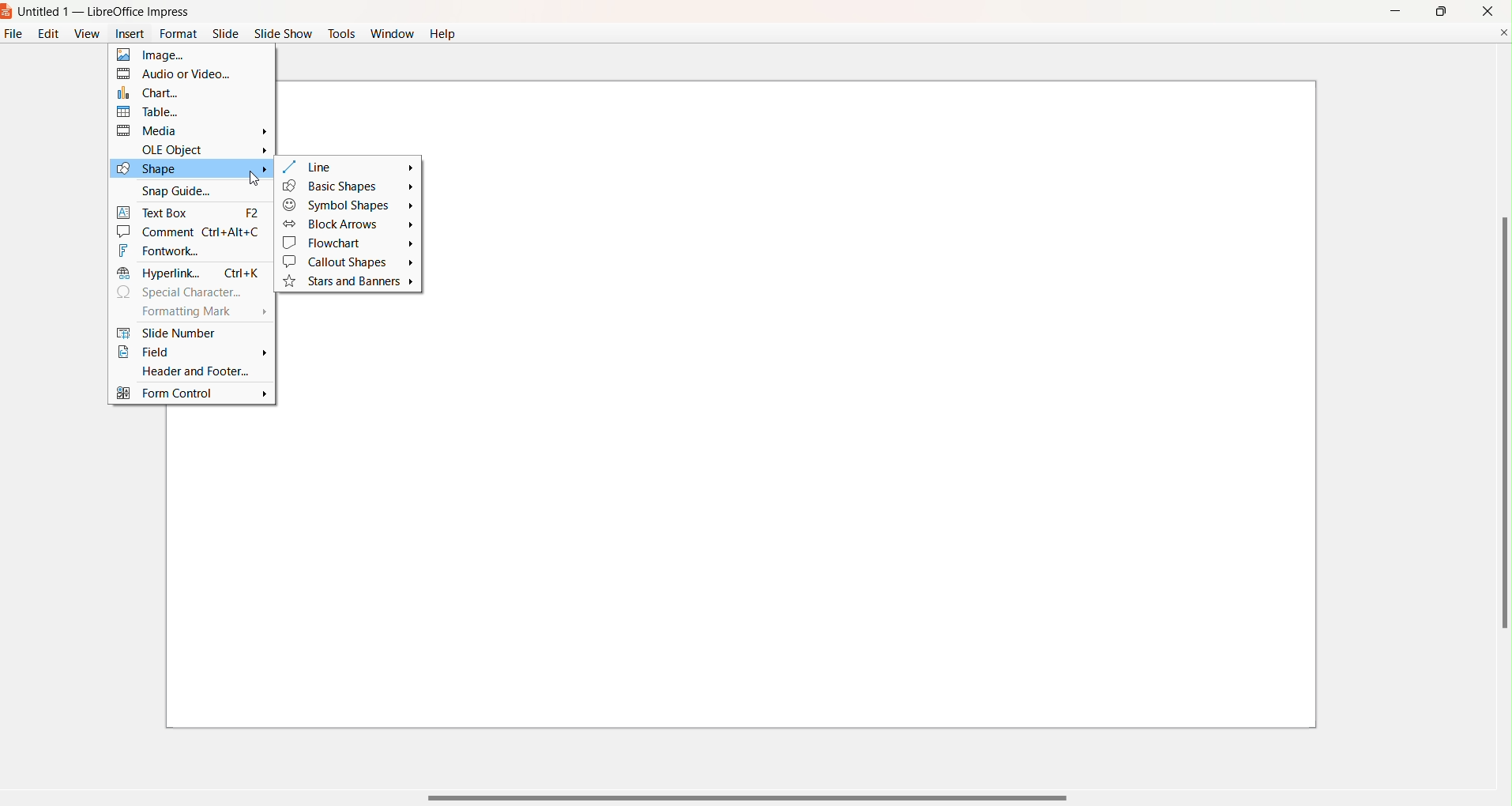 This screenshot has width=1512, height=806. What do you see at coordinates (351, 282) in the screenshot?
I see `Stars and Banners` at bounding box center [351, 282].